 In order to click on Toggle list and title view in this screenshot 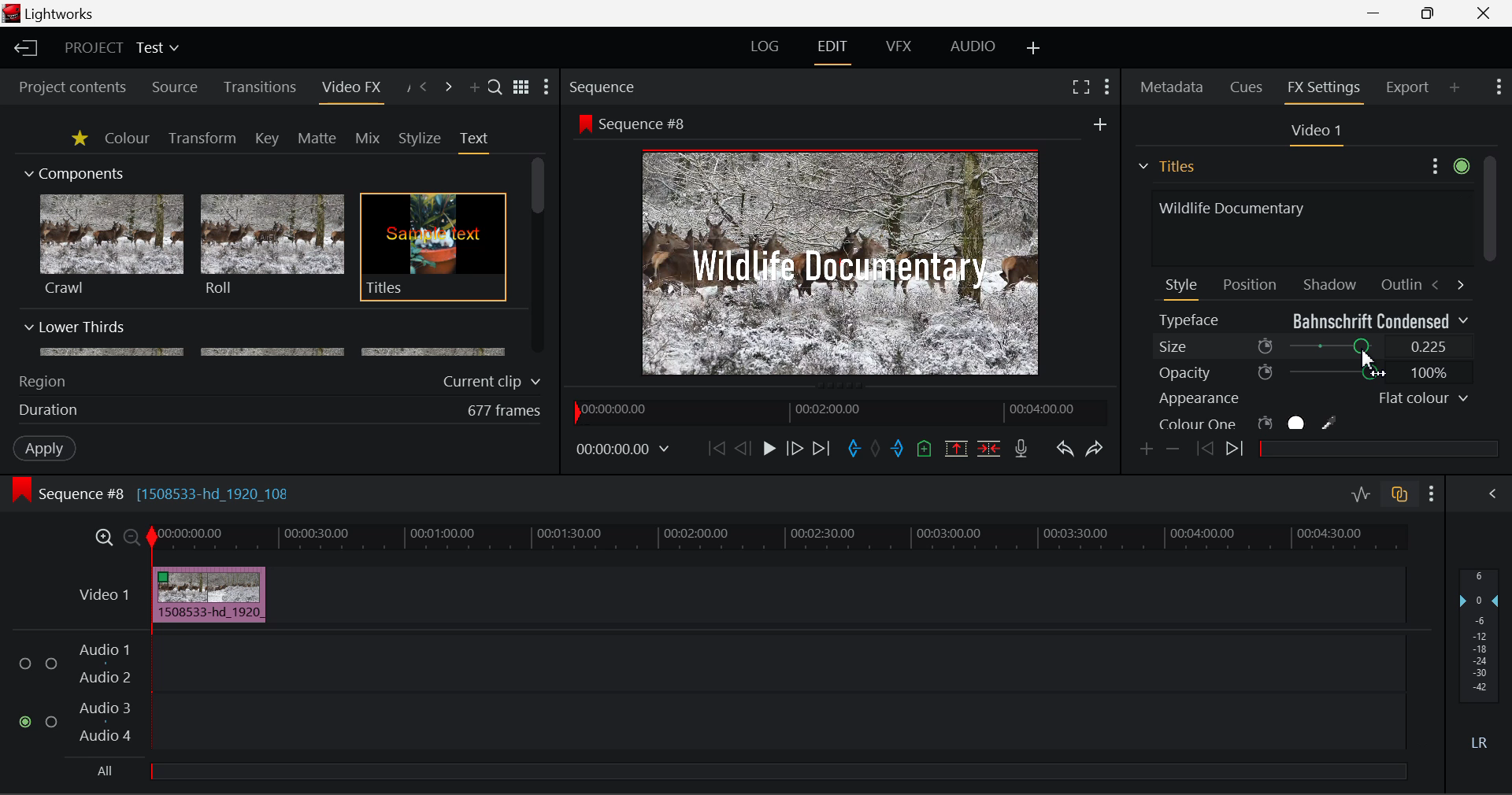, I will do `click(523, 87)`.